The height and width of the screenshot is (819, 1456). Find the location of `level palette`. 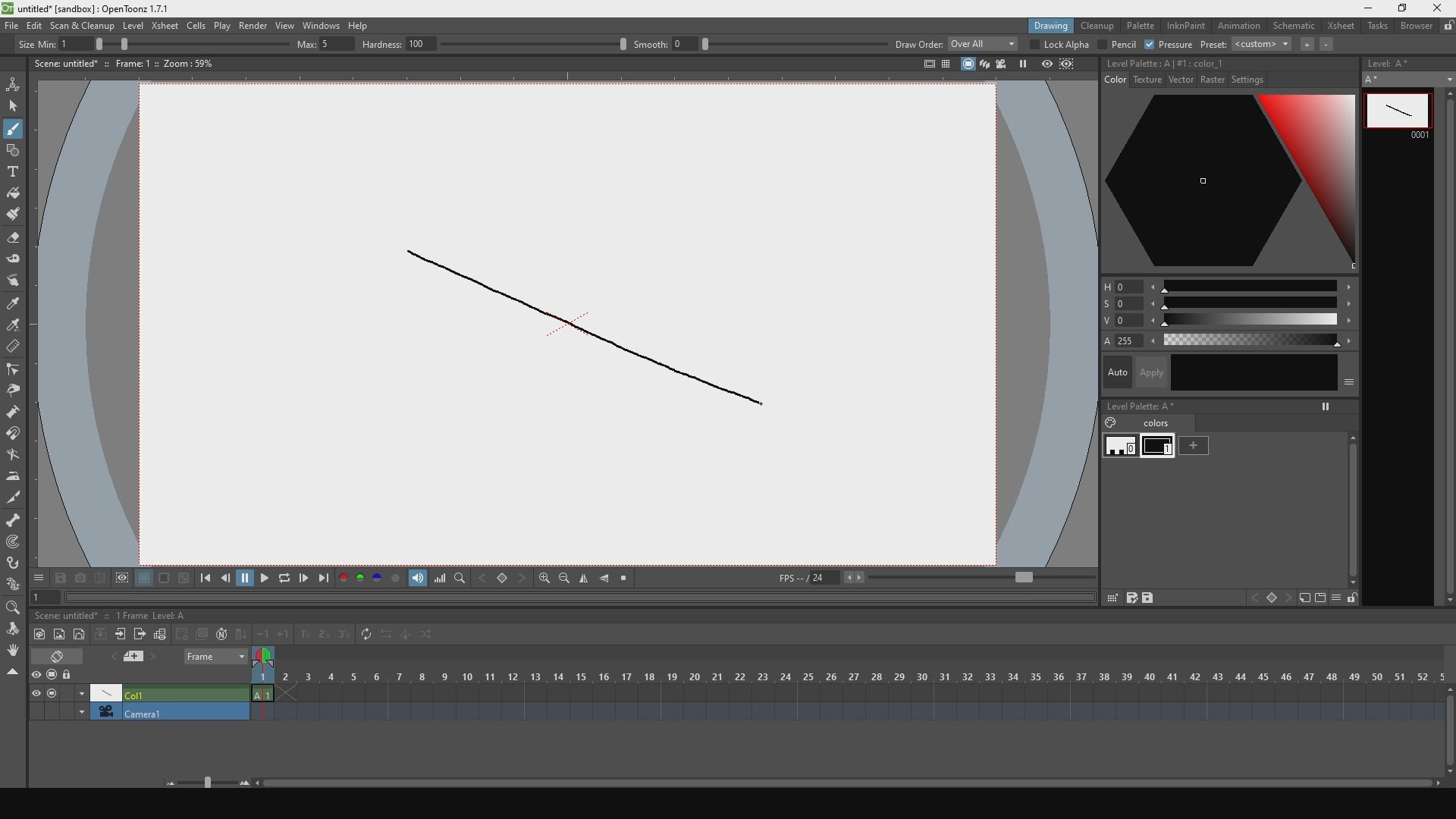

level palette is located at coordinates (1224, 406).